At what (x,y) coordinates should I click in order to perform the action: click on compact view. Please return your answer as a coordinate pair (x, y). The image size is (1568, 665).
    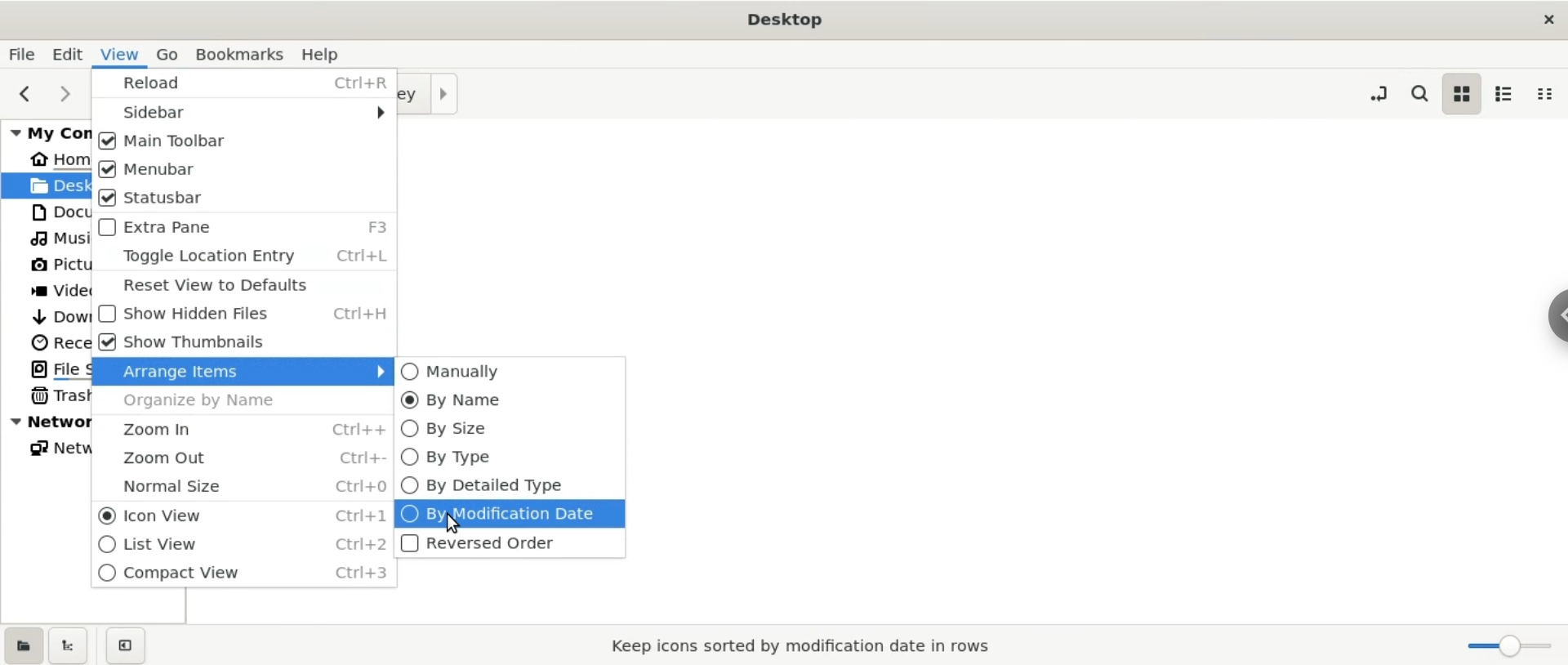
    Looking at the image, I should click on (1546, 96).